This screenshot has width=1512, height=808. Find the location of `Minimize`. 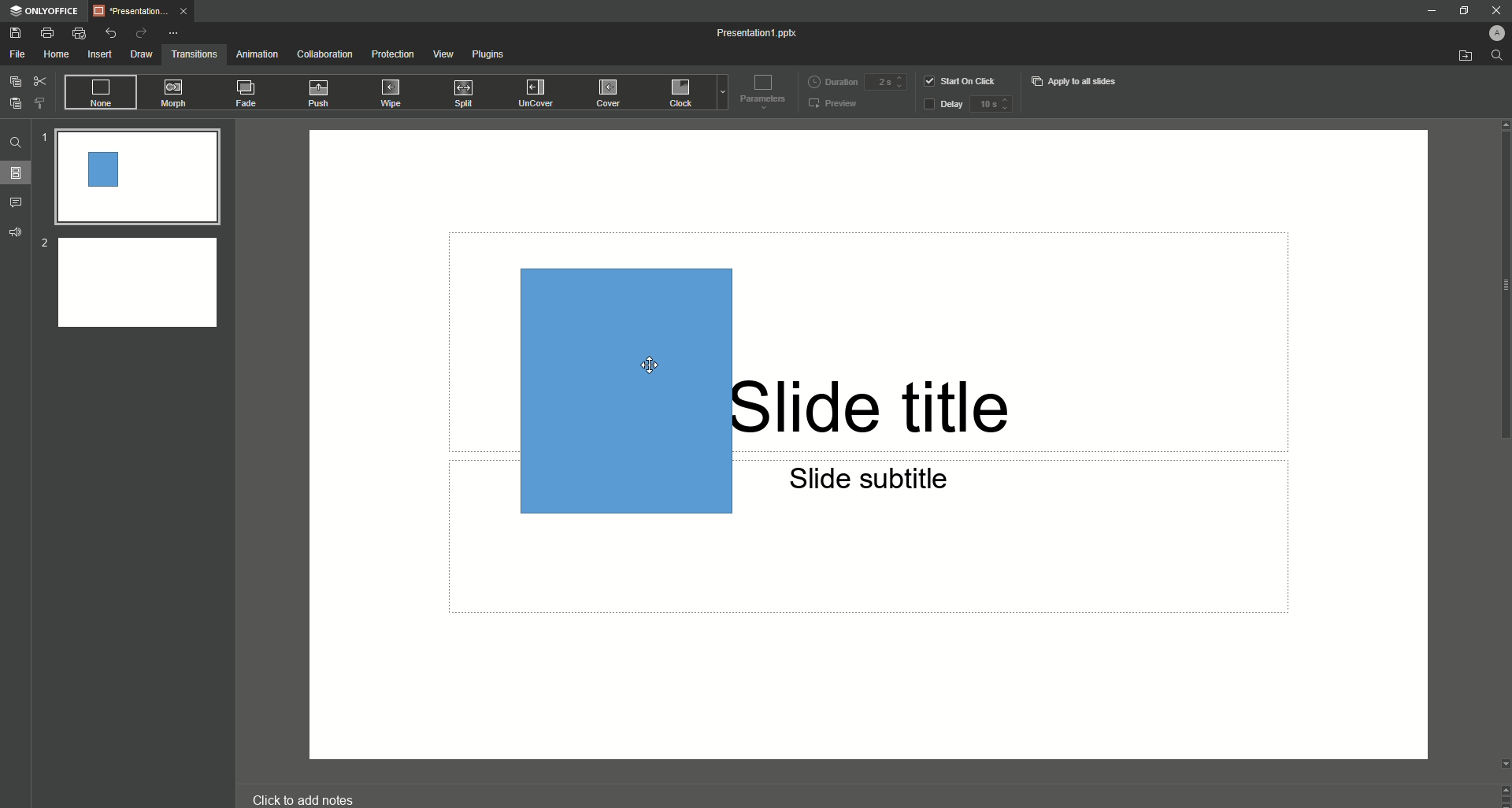

Minimize is located at coordinates (1429, 9).